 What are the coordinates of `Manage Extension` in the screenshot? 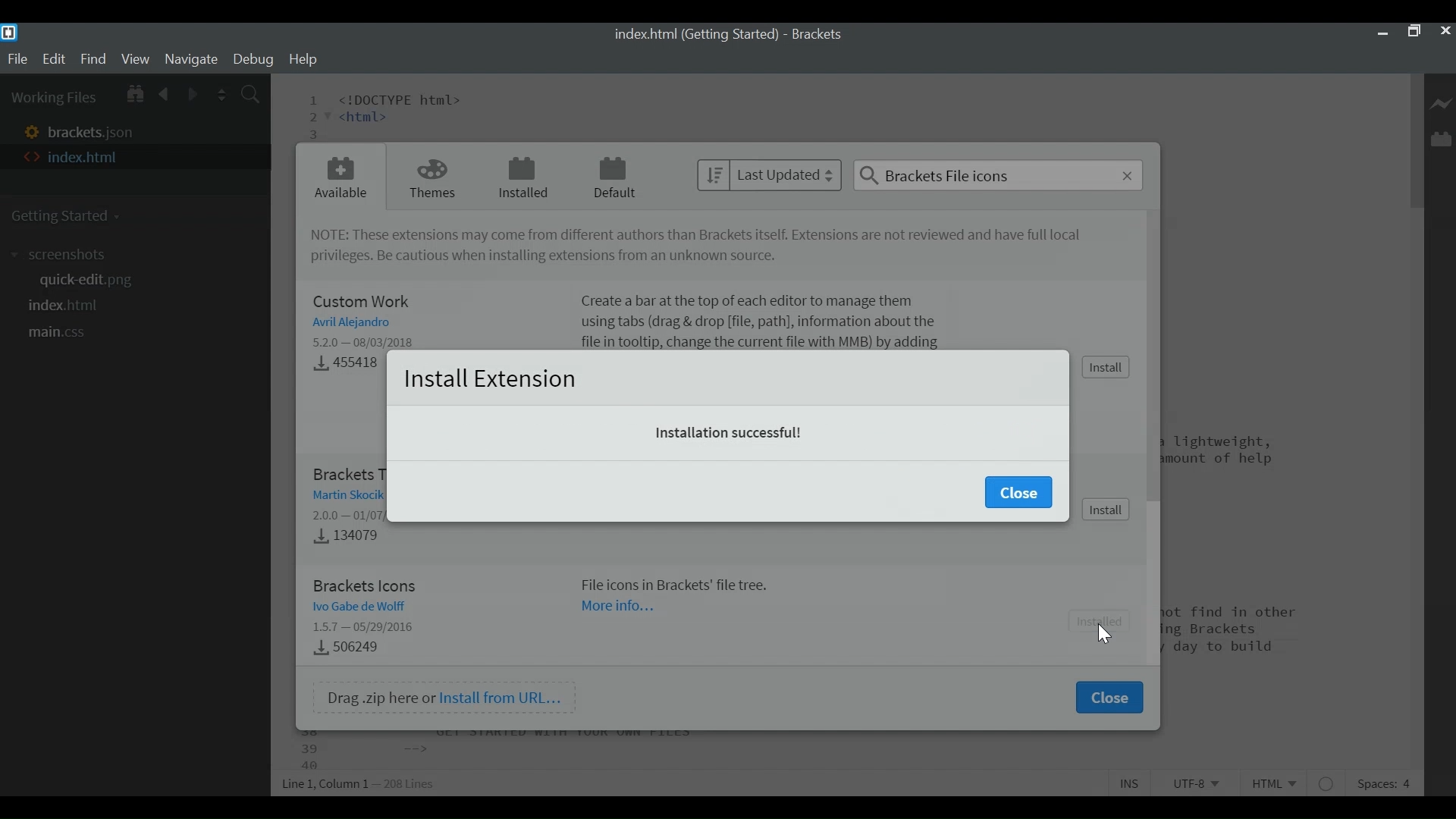 It's located at (1440, 139).